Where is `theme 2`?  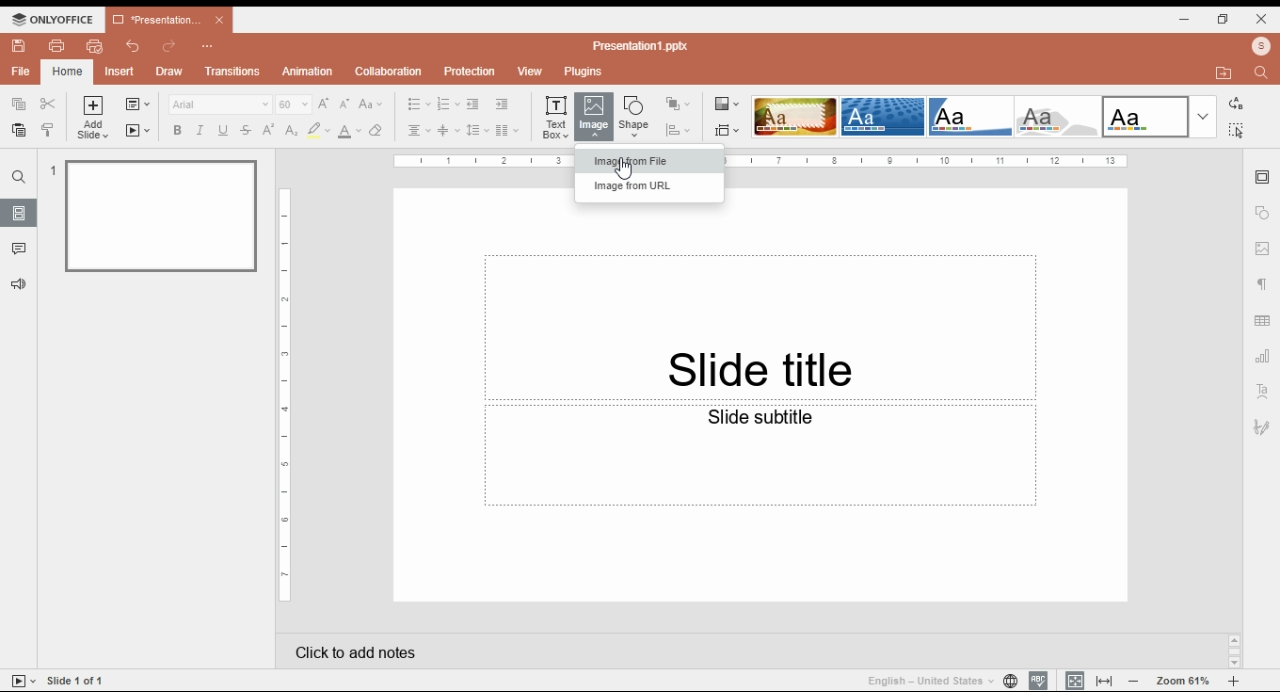
theme 2 is located at coordinates (881, 117).